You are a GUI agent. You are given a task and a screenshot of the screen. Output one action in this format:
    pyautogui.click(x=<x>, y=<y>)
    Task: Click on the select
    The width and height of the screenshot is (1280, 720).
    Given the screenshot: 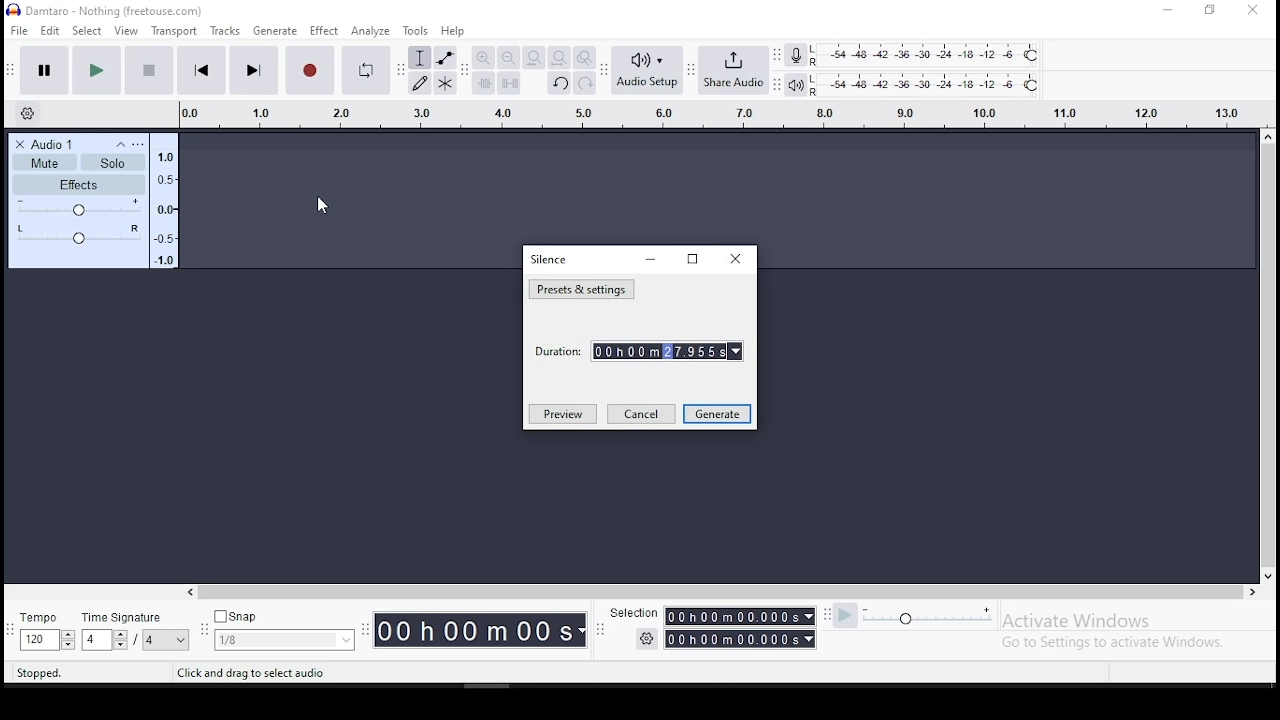 What is the action you would take?
    pyautogui.click(x=89, y=31)
    